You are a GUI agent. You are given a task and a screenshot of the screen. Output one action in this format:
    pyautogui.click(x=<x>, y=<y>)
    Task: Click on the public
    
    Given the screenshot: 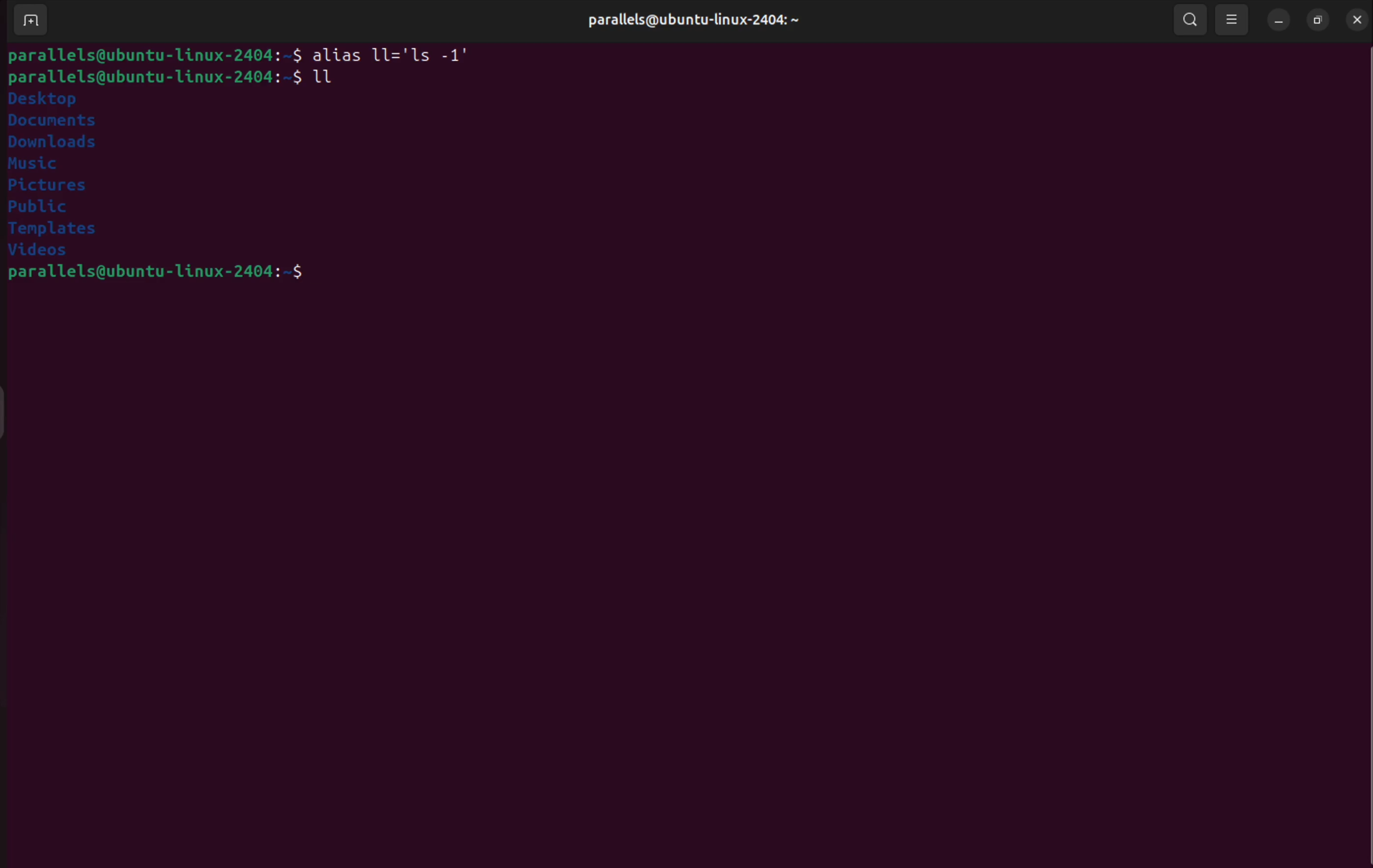 What is the action you would take?
    pyautogui.click(x=56, y=207)
    